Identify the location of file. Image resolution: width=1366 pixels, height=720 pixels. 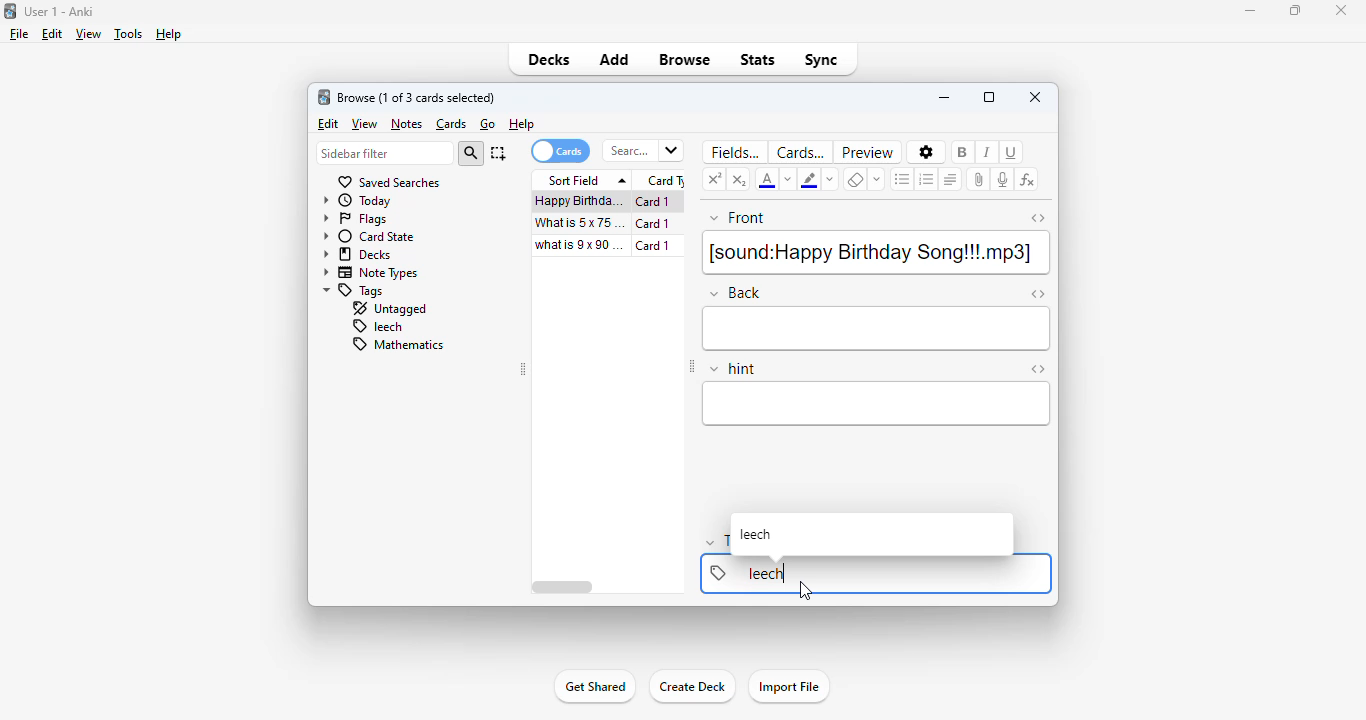
(19, 34).